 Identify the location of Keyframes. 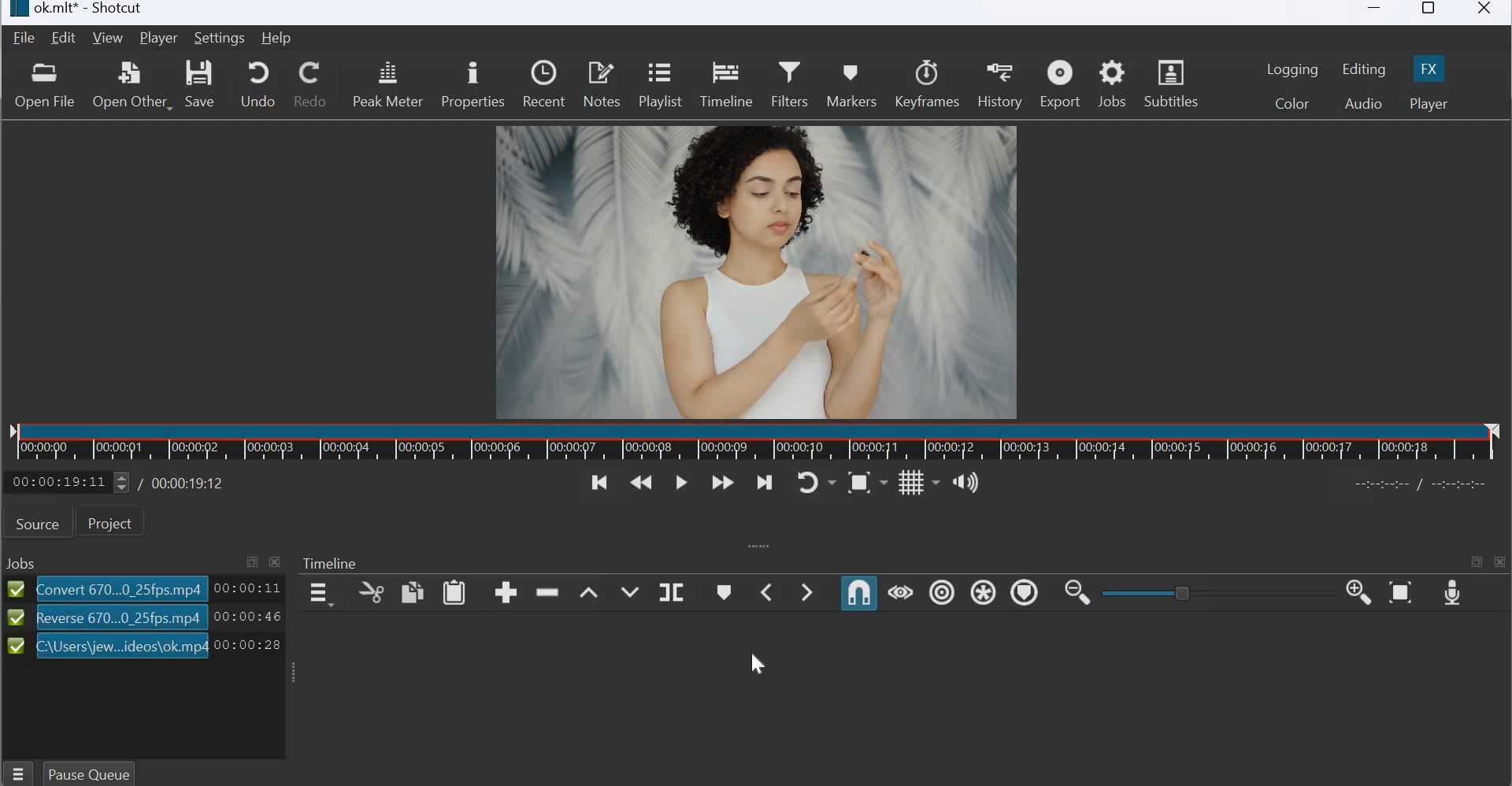
(928, 83).